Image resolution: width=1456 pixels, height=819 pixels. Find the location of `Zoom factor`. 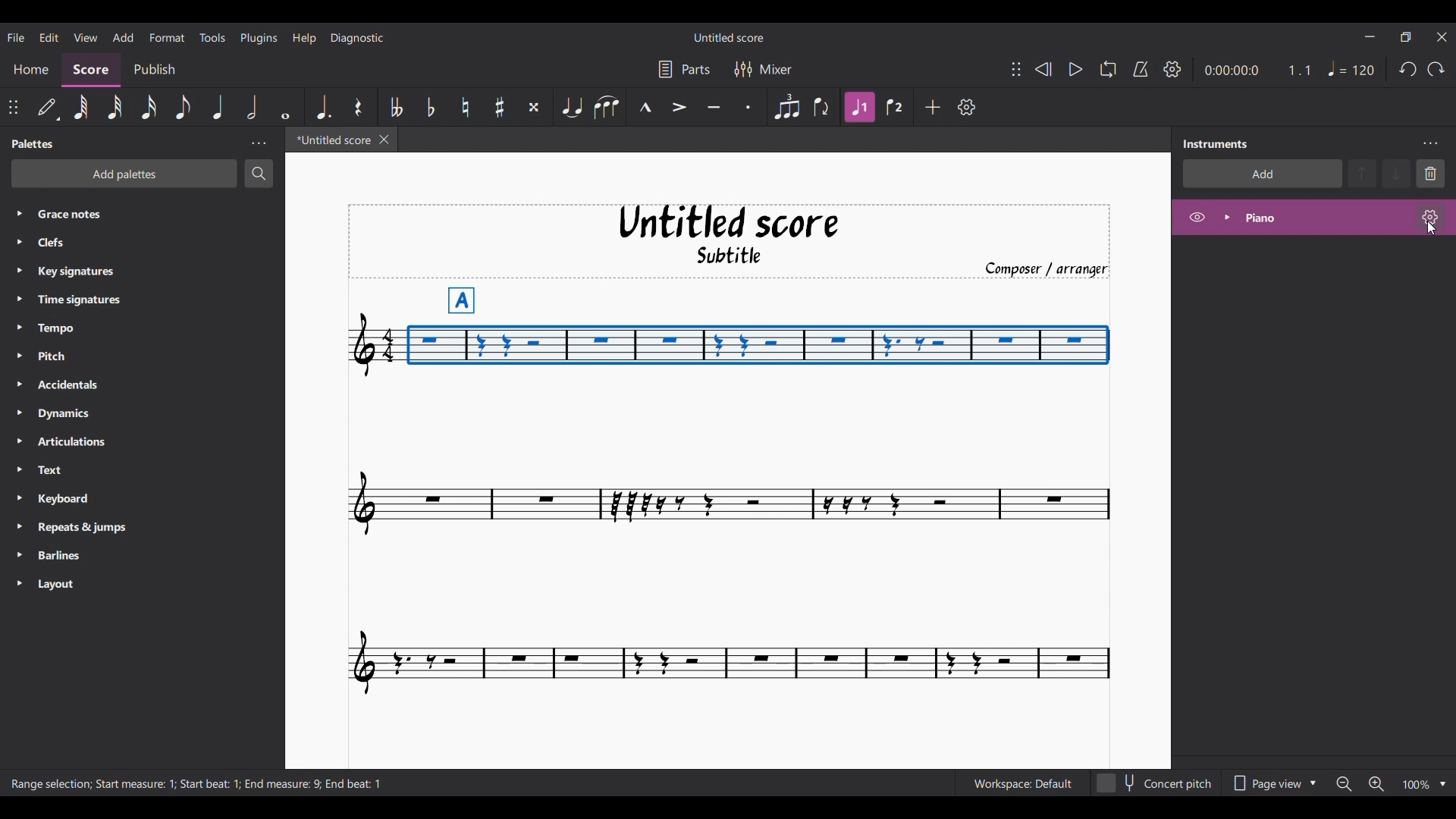

Zoom factor is located at coordinates (1417, 785).